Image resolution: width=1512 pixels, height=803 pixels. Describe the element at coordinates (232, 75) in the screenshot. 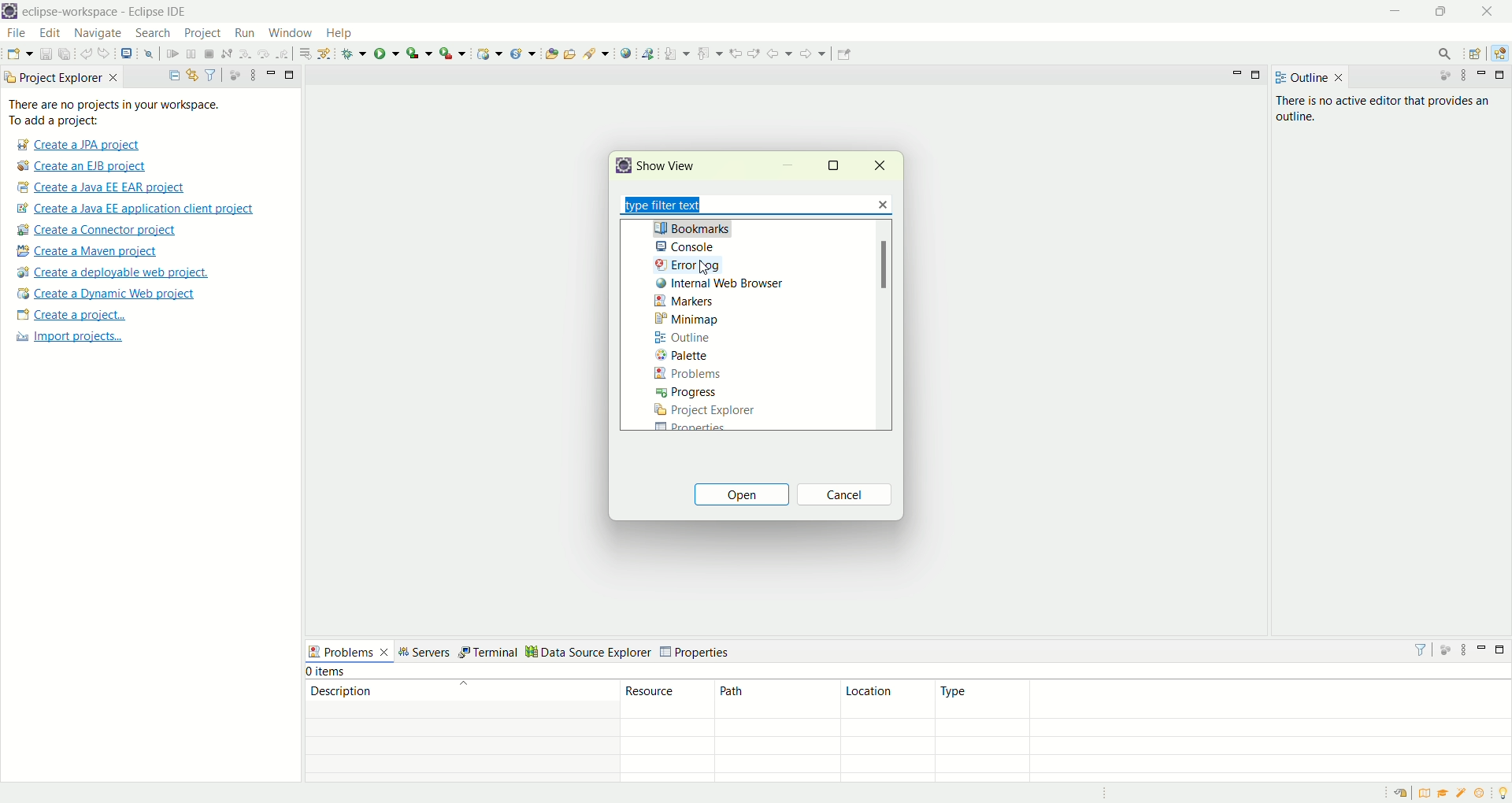

I see `focus on active tasks` at that location.